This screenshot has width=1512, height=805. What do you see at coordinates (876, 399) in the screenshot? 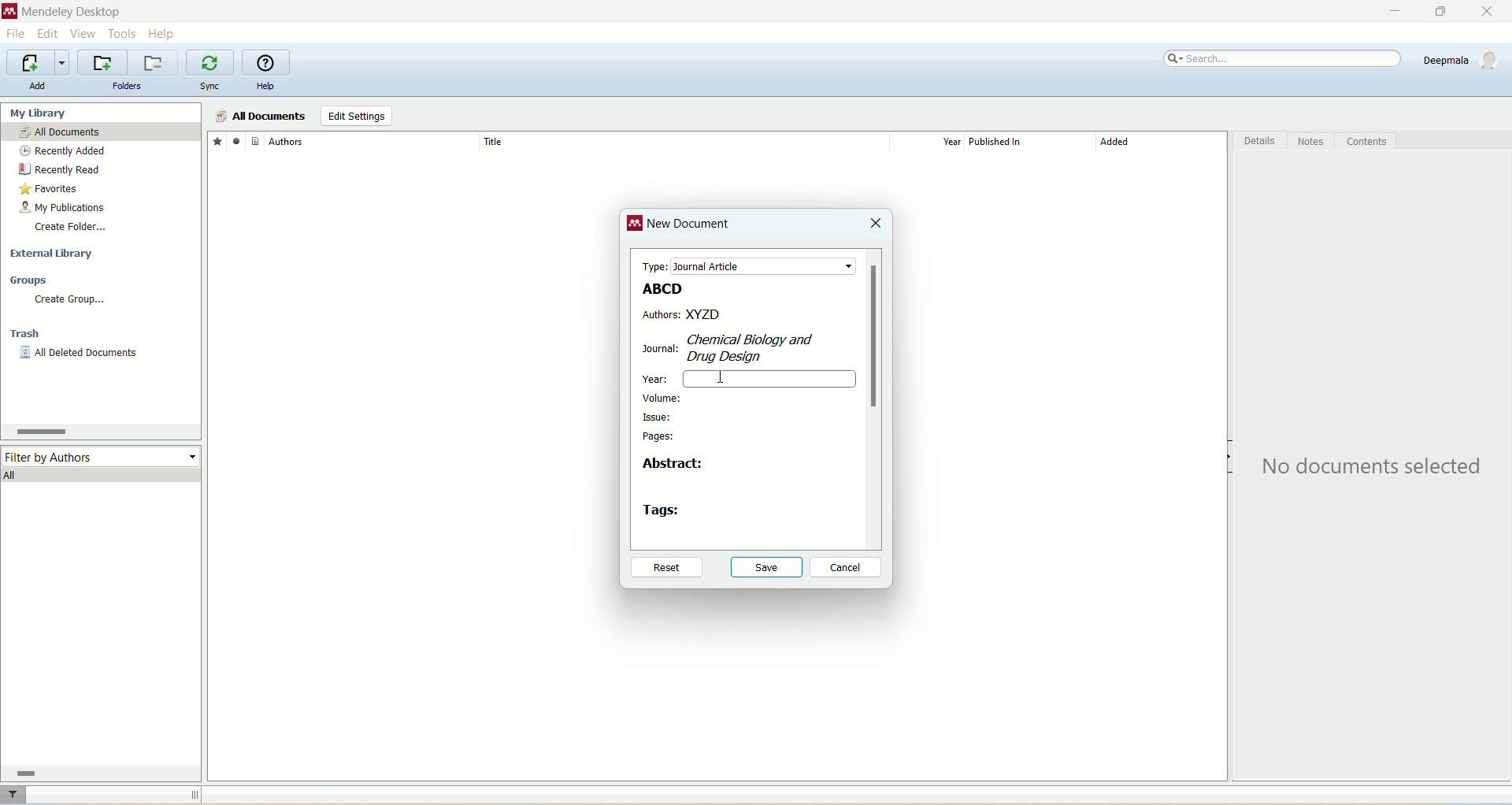
I see `vertical scroll bar` at bounding box center [876, 399].